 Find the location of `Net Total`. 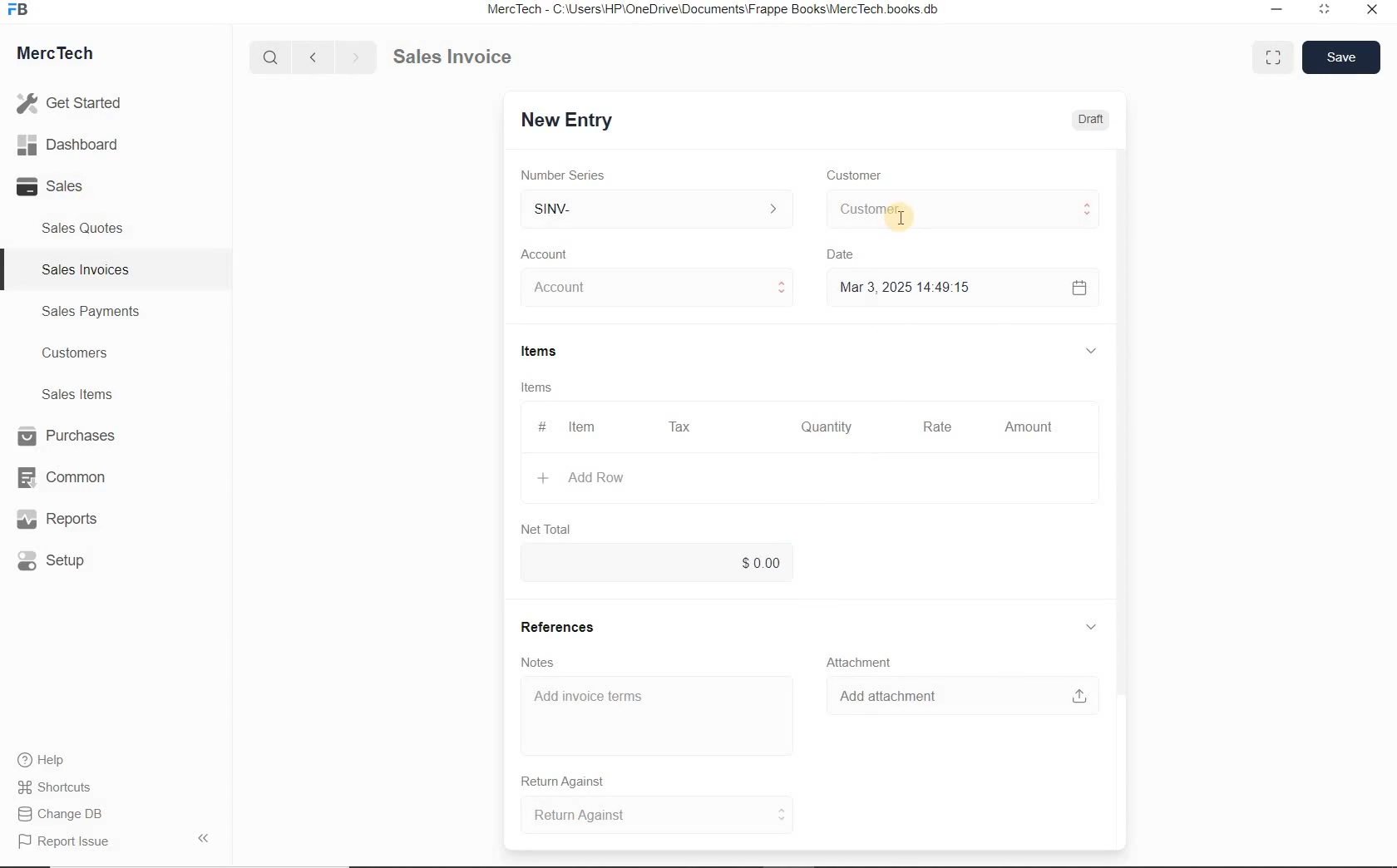

Net Total is located at coordinates (548, 529).